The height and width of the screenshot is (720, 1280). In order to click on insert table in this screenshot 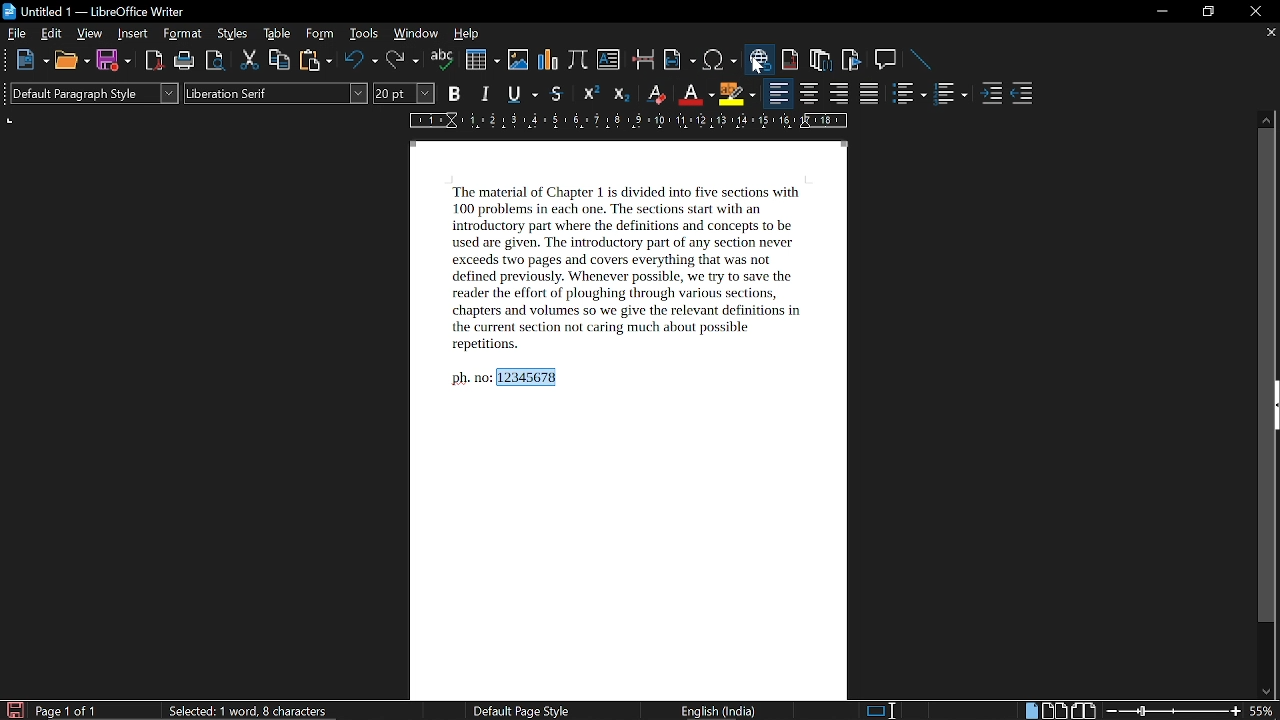, I will do `click(481, 60)`.